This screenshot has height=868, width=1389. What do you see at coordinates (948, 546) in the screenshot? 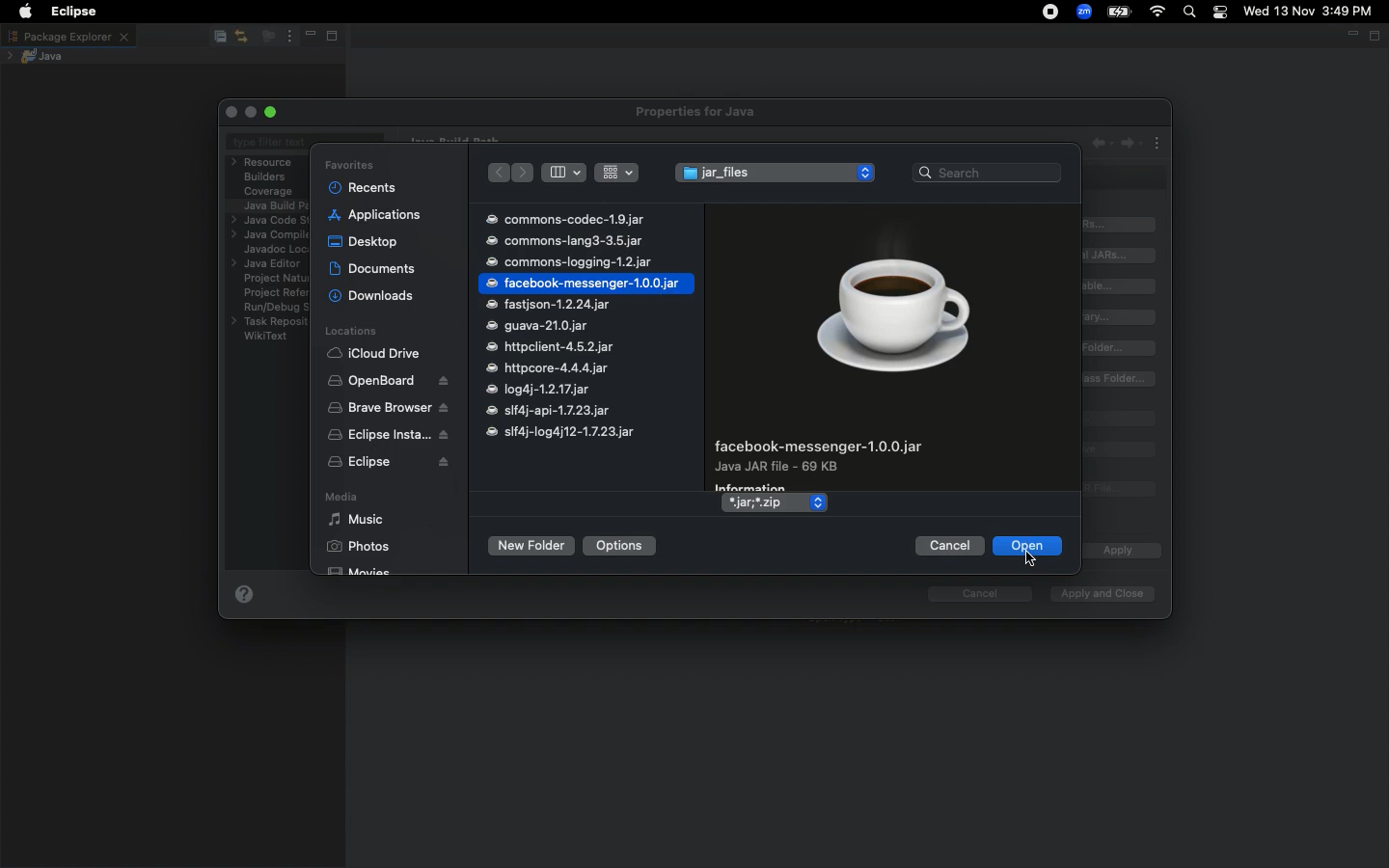
I see `Cancel` at bounding box center [948, 546].